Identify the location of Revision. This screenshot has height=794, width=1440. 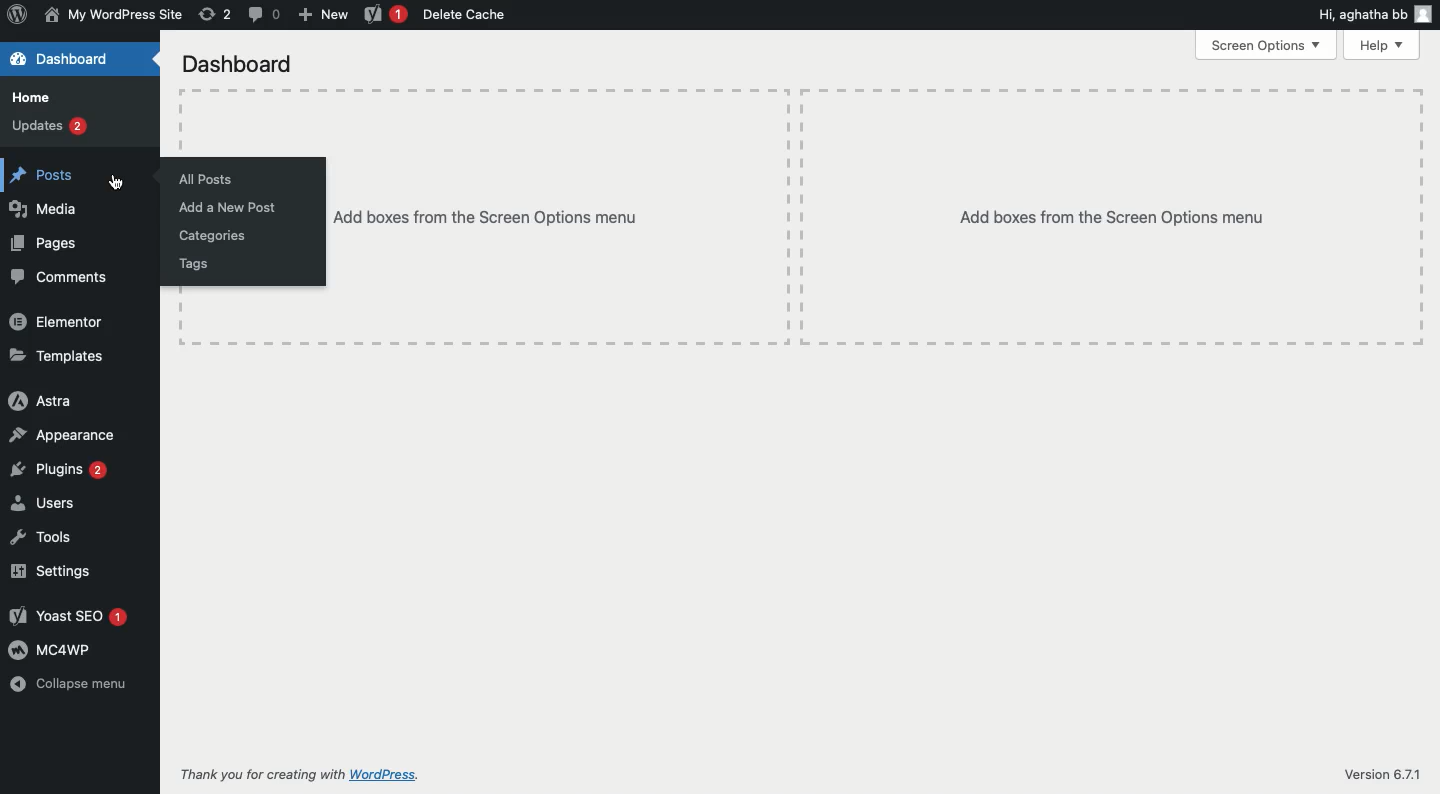
(215, 13).